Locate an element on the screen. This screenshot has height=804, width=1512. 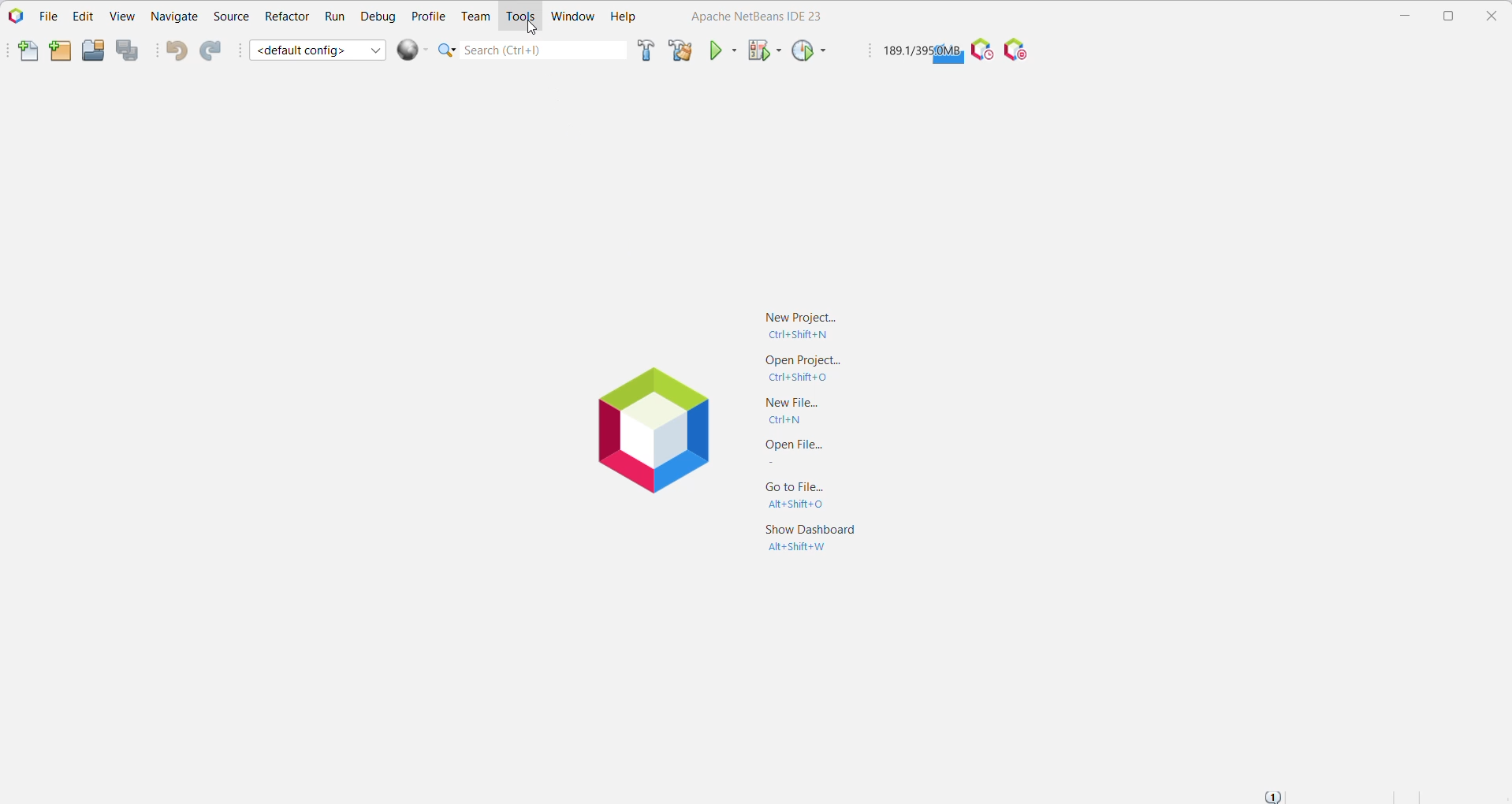
Save All is located at coordinates (129, 50).